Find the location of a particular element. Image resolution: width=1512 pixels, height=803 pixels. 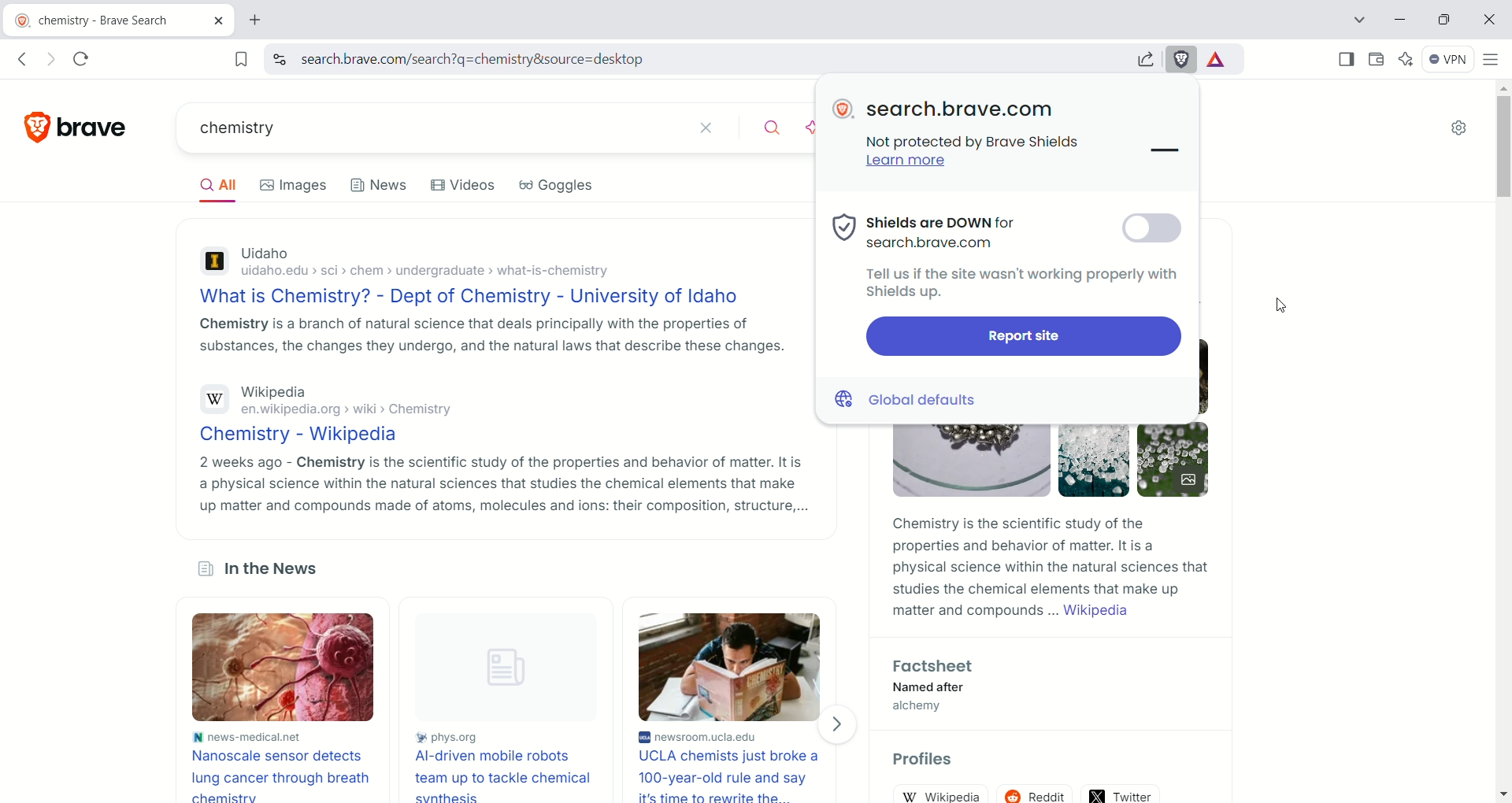

shields are DOWN for search.brave.com is located at coordinates (925, 231).